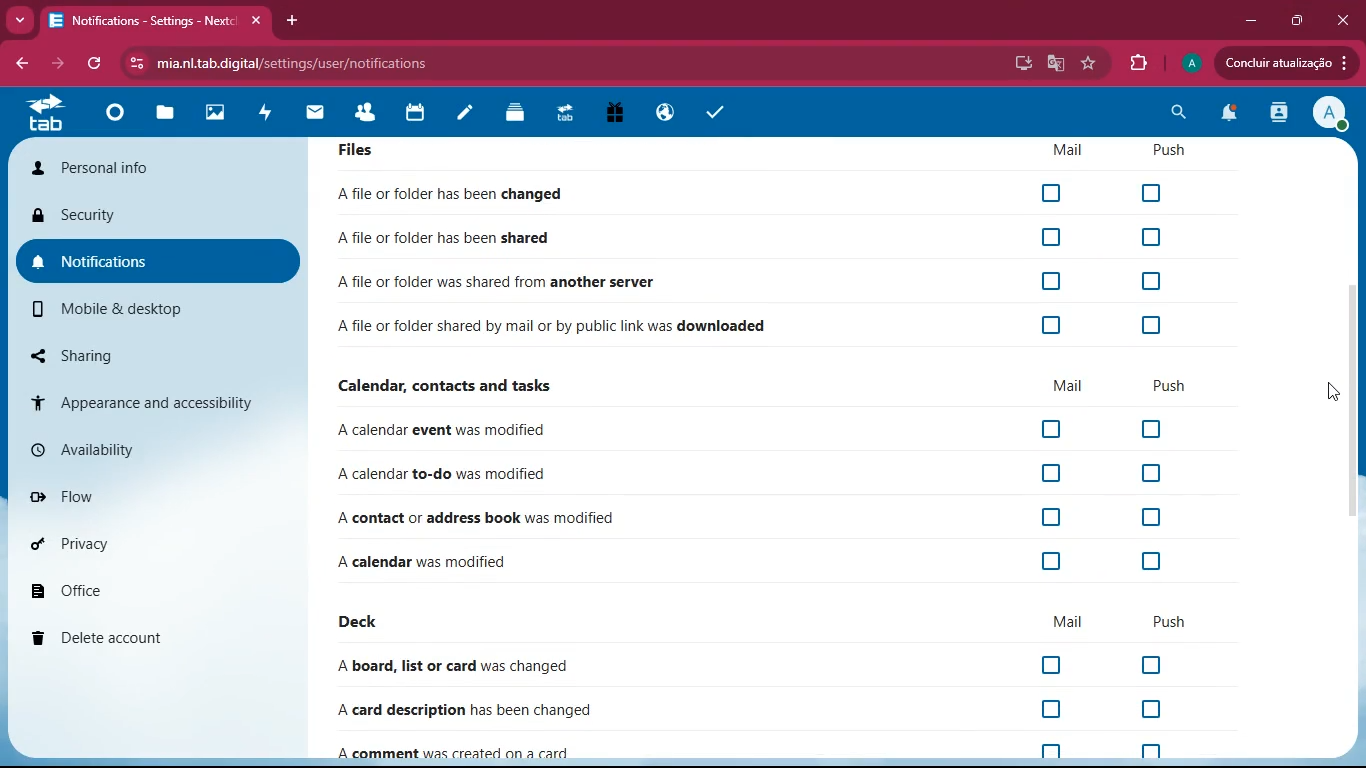 The height and width of the screenshot is (768, 1366). Describe the element at coordinates (1166, 622) in the screenshot. I see `push` at that location.